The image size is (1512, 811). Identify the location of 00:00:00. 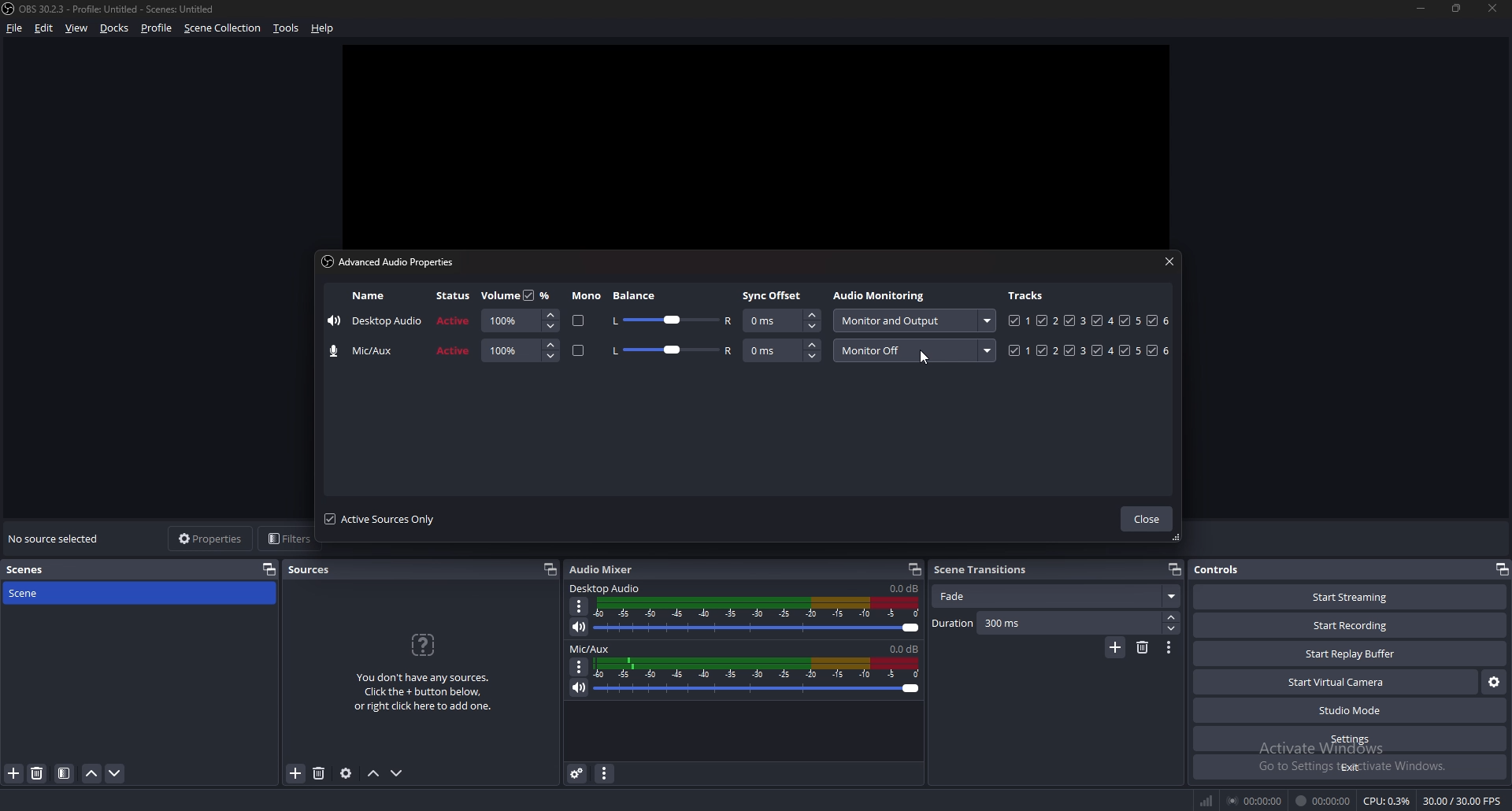
(1255, 802).